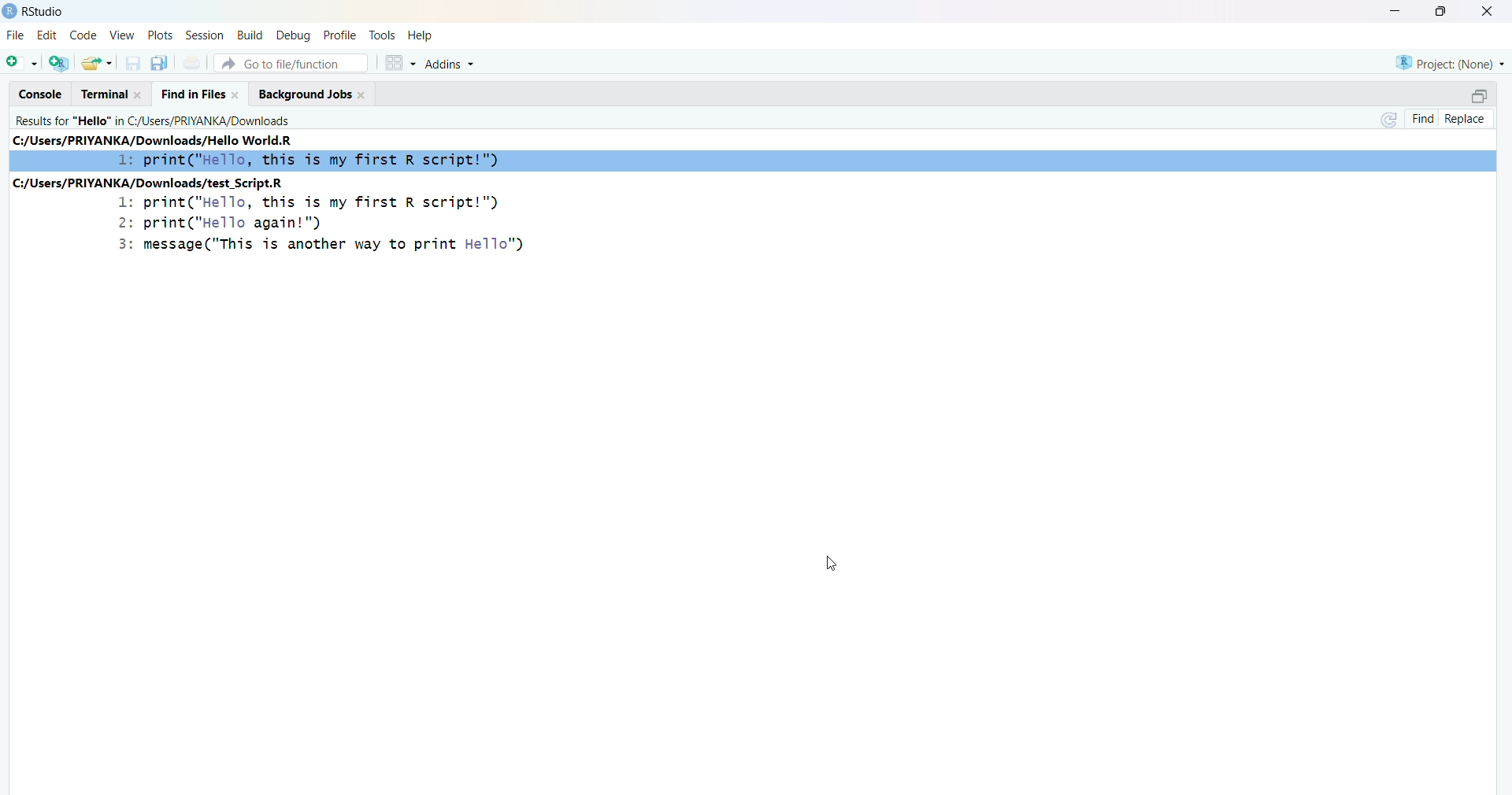 The image size is (1512, 795). I want to click on Find in Files, so click(194, 95).